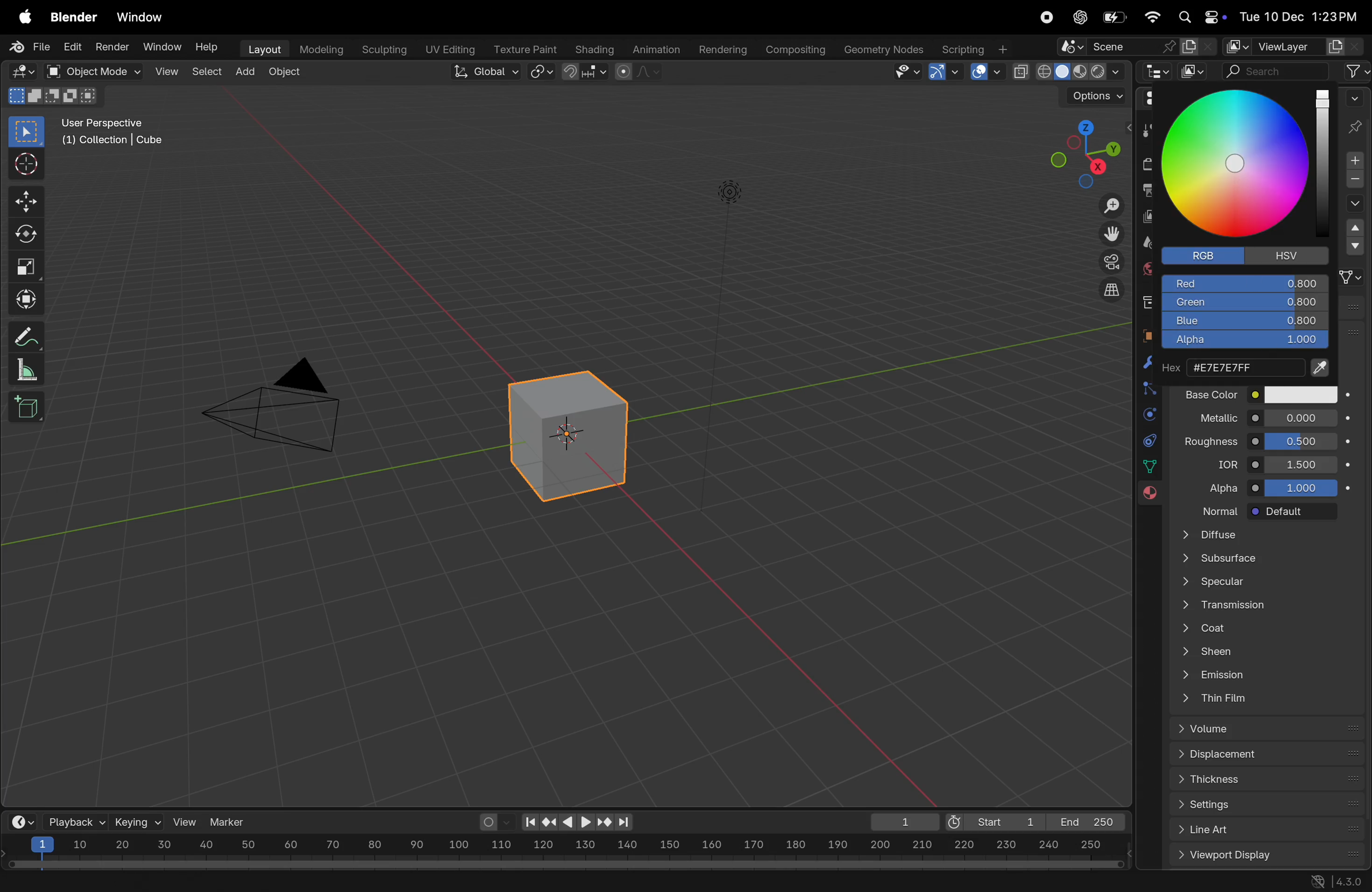  Describe the element at coordinates (69, 48) in the screenshot. I see `edit` at that location.